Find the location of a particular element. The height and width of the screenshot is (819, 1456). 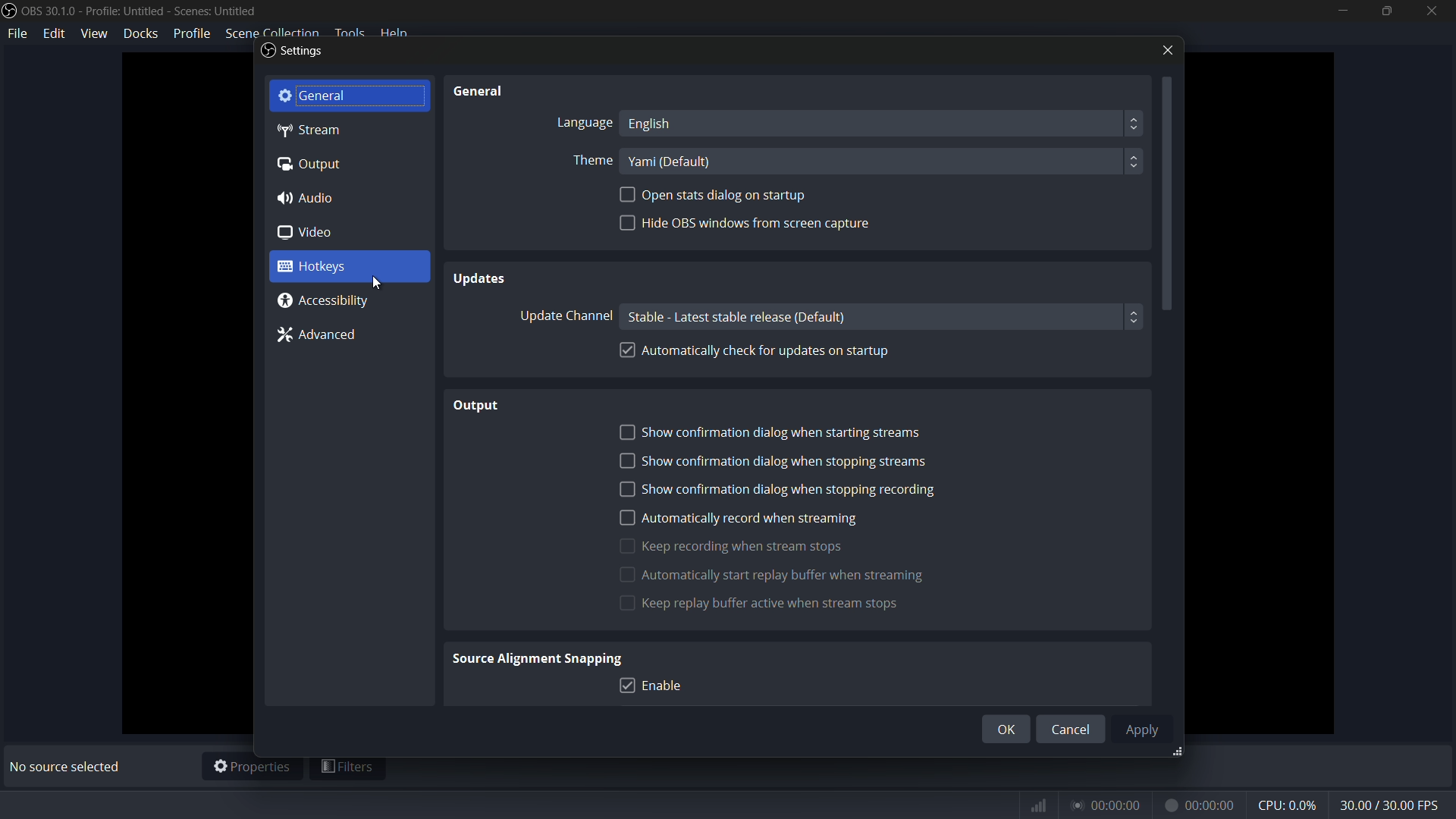

show confirmation dialog when stopping recording is located at coordinates (775, 490).